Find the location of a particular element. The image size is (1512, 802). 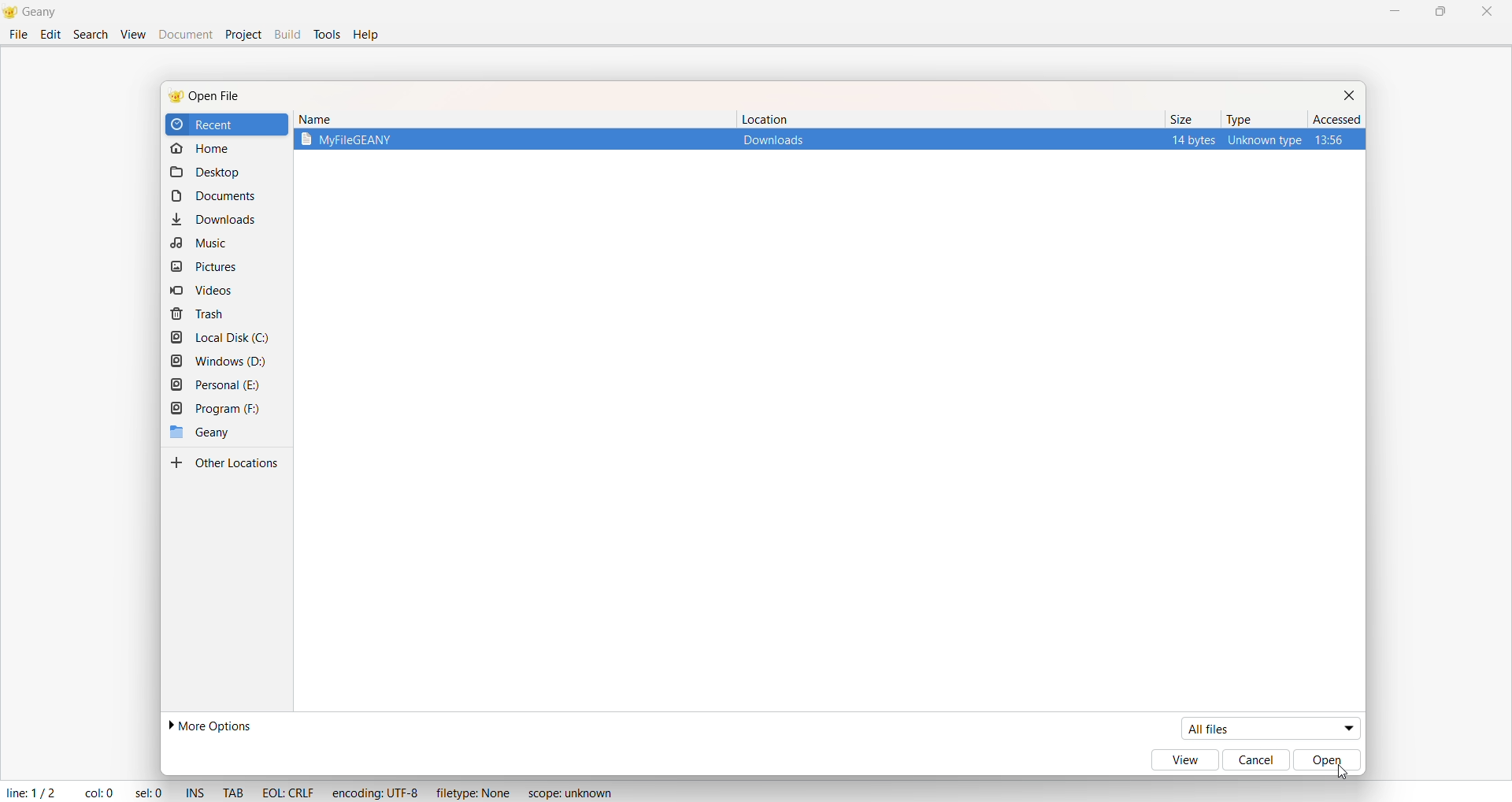

name is located at coordinates (325, 116).